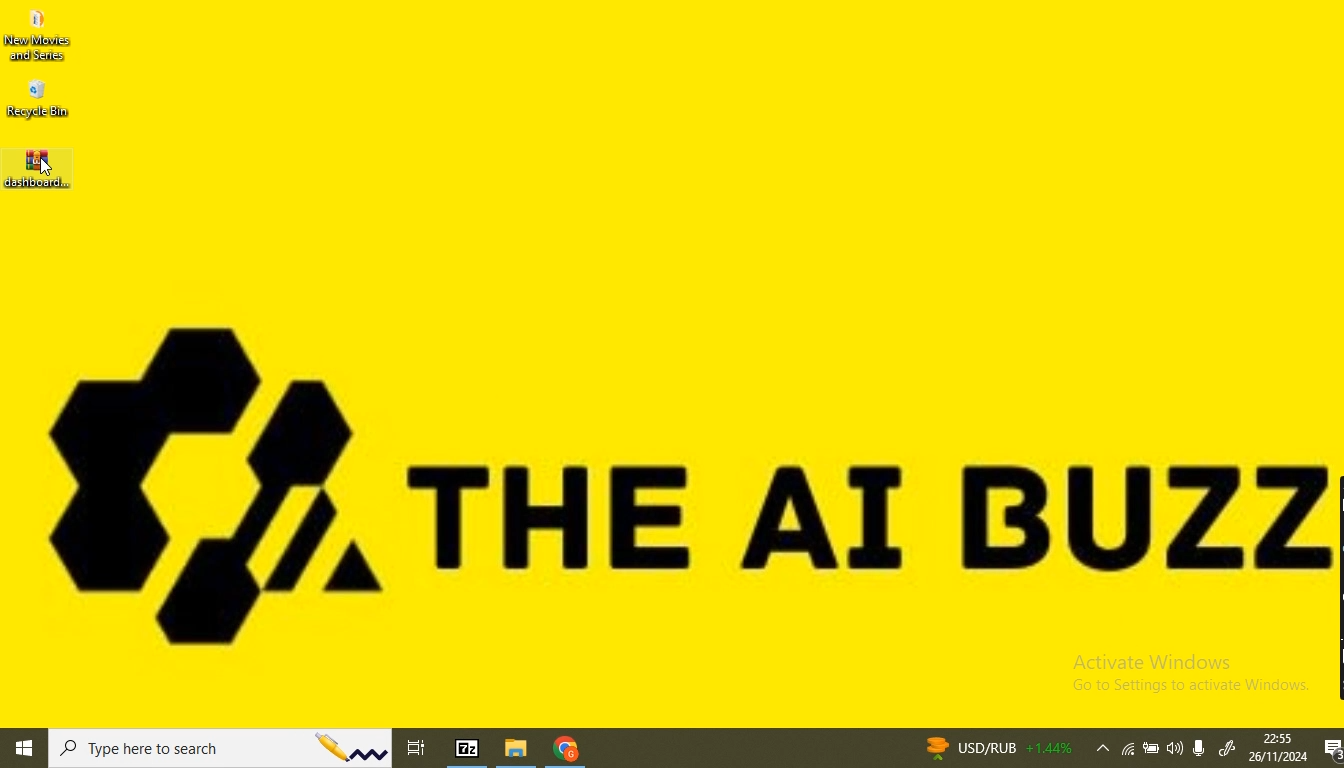  I want to click on Pointer, so click(44, 167).